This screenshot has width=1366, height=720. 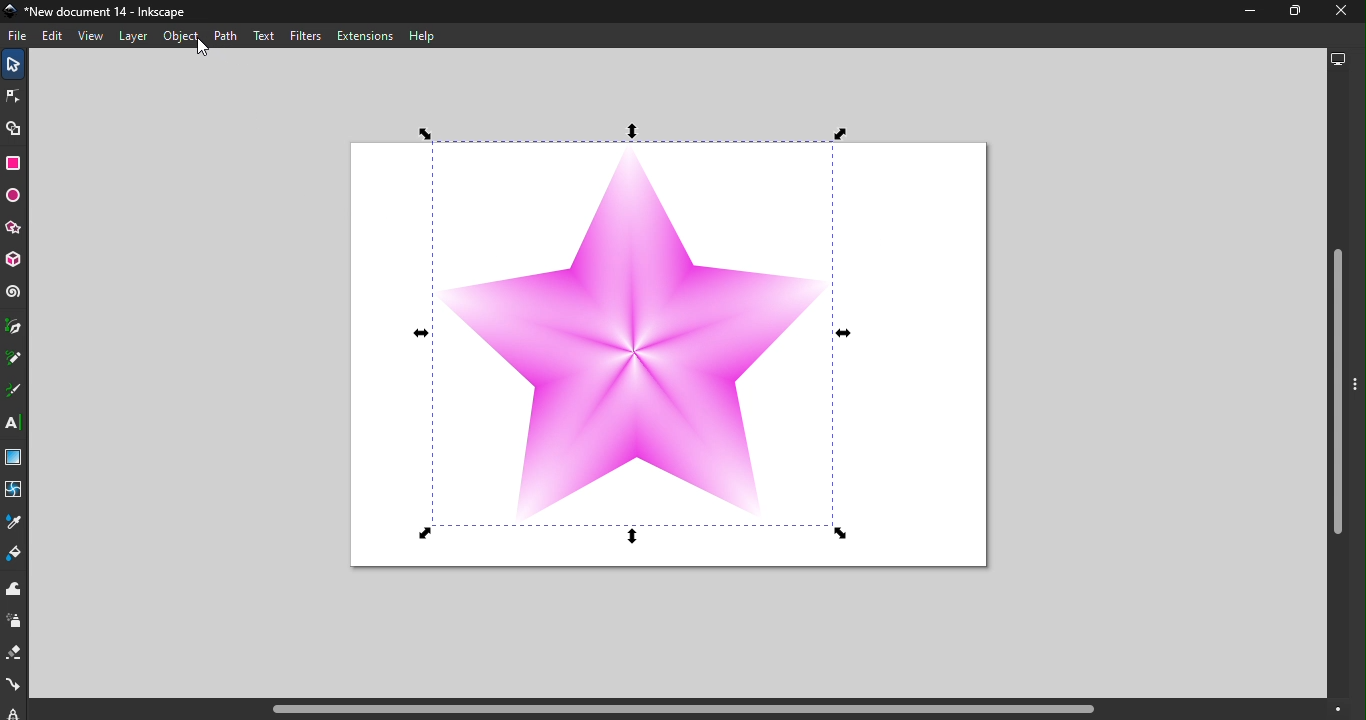 I want to click on toggle command panel, so click(x=1357, y=387).